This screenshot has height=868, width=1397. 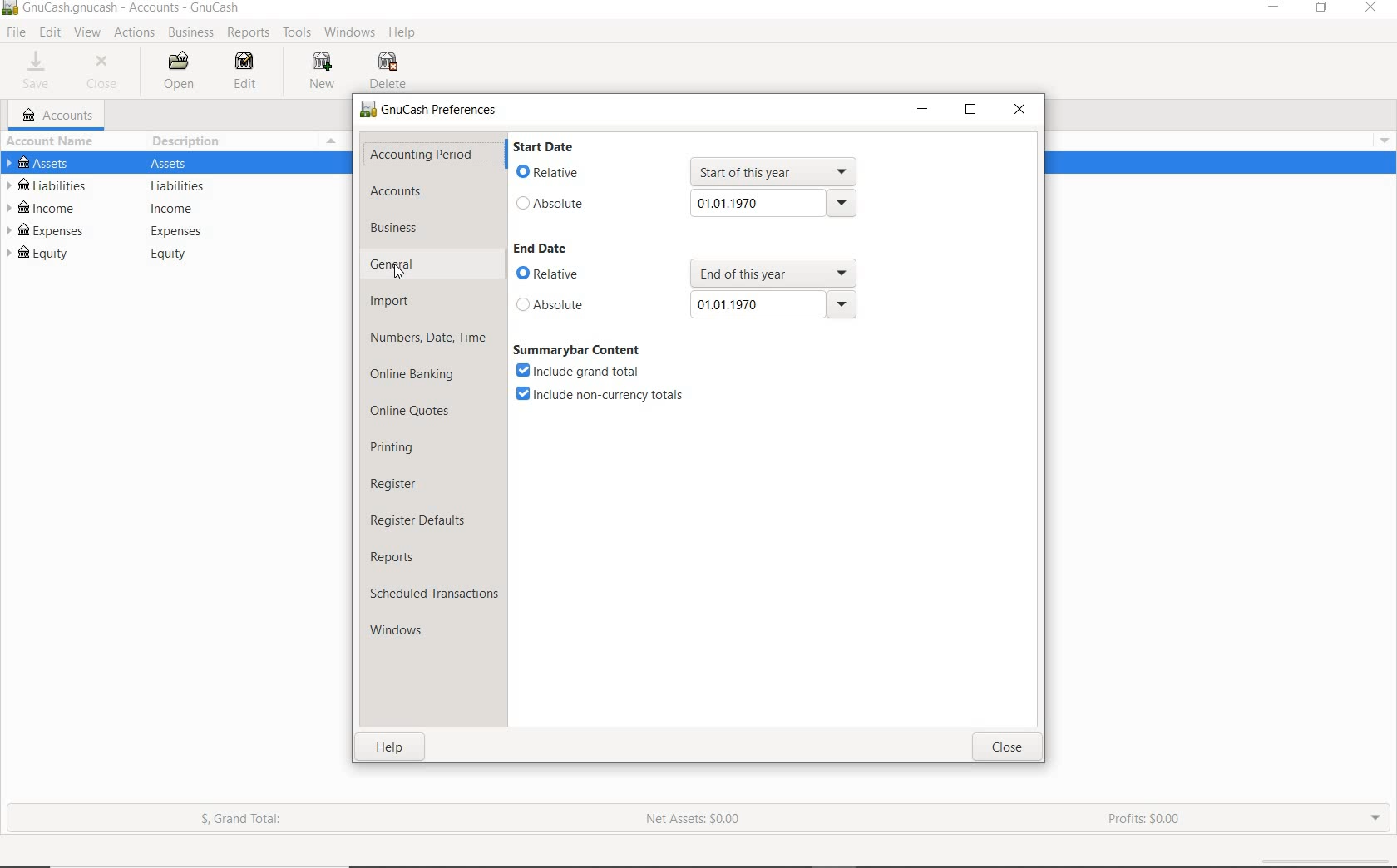 What do you see at coordinates (1276, 11) in the screenshot?
I see `MINIMIZE` at bounding box center [1276, 11].